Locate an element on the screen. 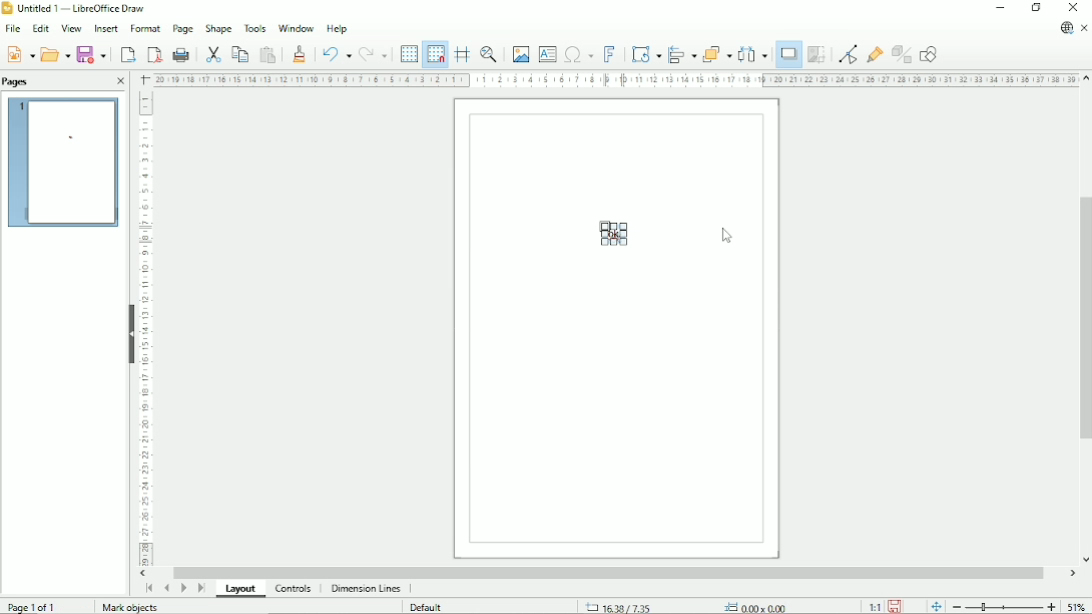 The height and width of the screenshot is (614, 1092). Vertical scale is located at coordinates (145, 328).